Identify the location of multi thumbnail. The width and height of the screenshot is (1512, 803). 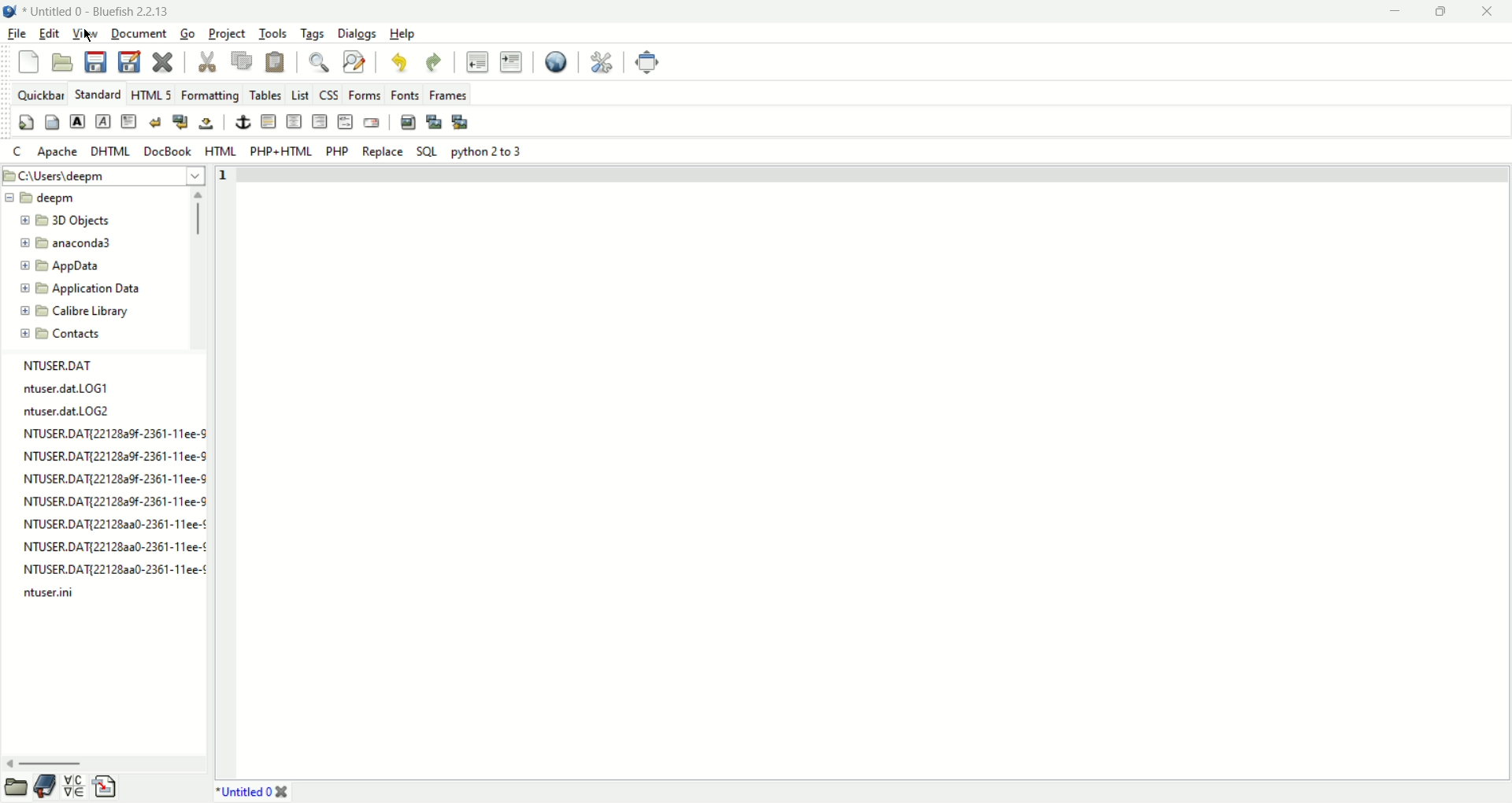
(460, 122).